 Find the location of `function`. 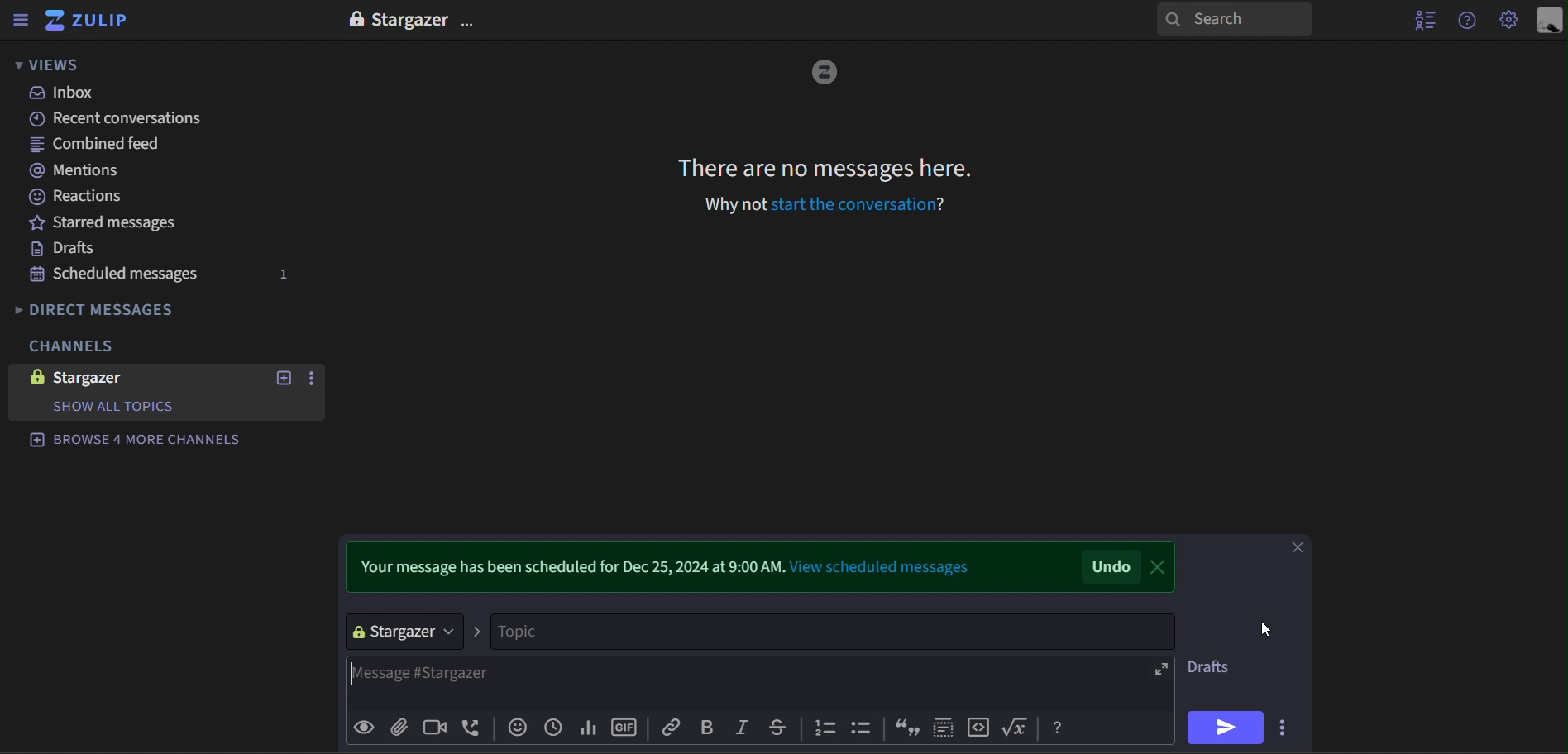

function is located at coordinates (1018, 728).